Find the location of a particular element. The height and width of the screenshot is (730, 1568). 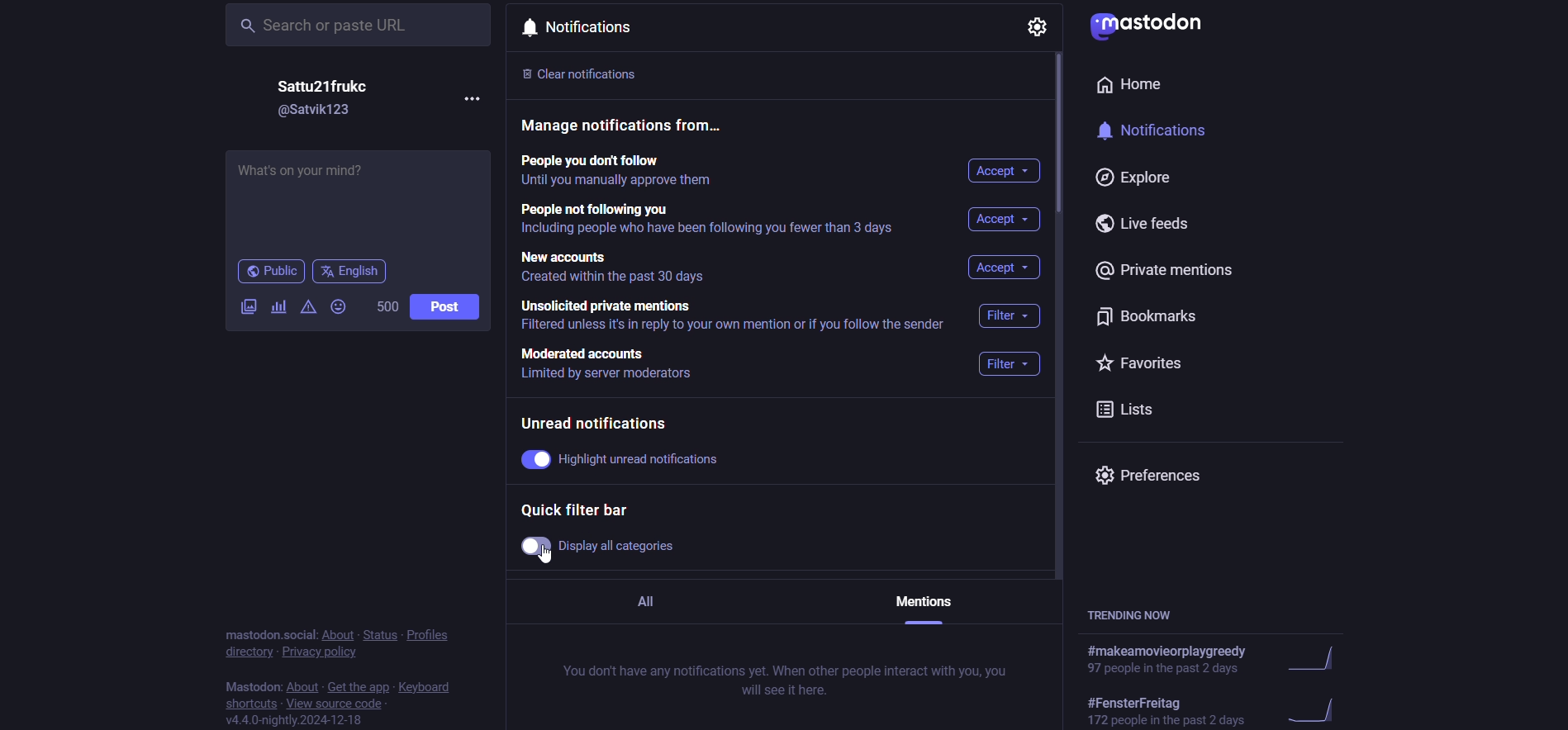

about is located at coordinates (306, 687).